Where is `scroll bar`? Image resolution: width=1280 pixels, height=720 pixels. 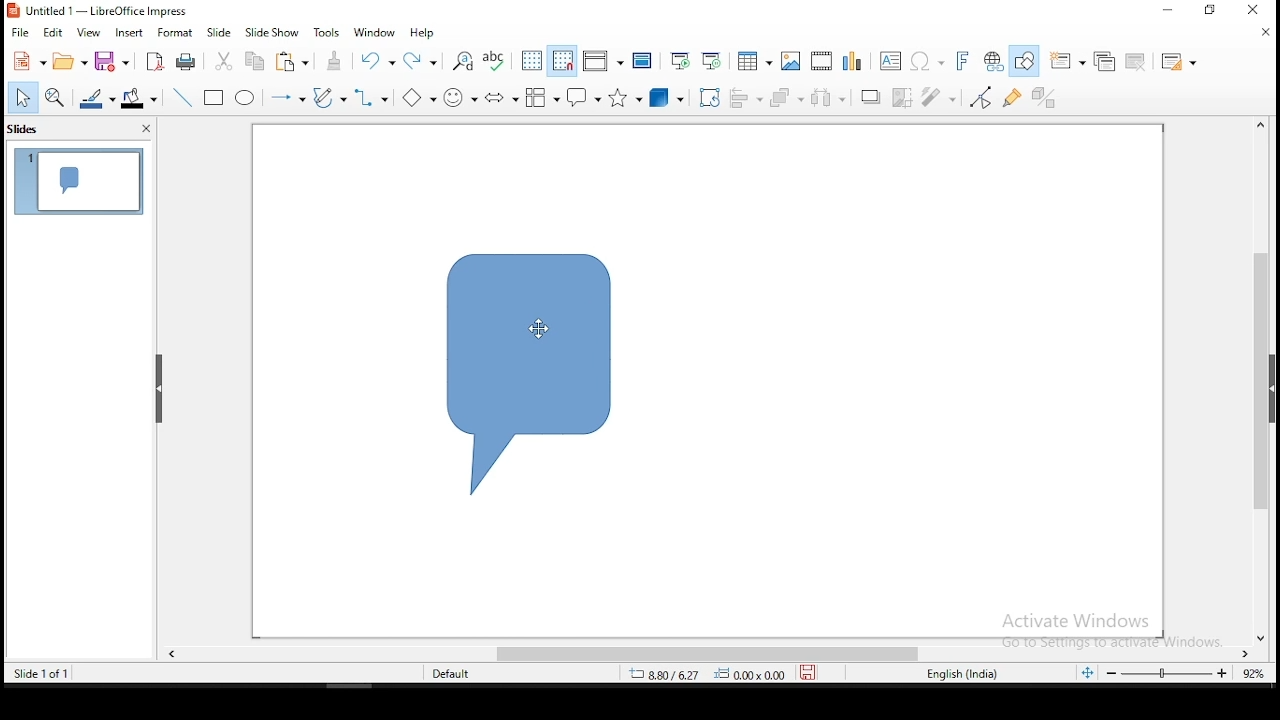
scroll bar is located at coordinates (1259, 378).